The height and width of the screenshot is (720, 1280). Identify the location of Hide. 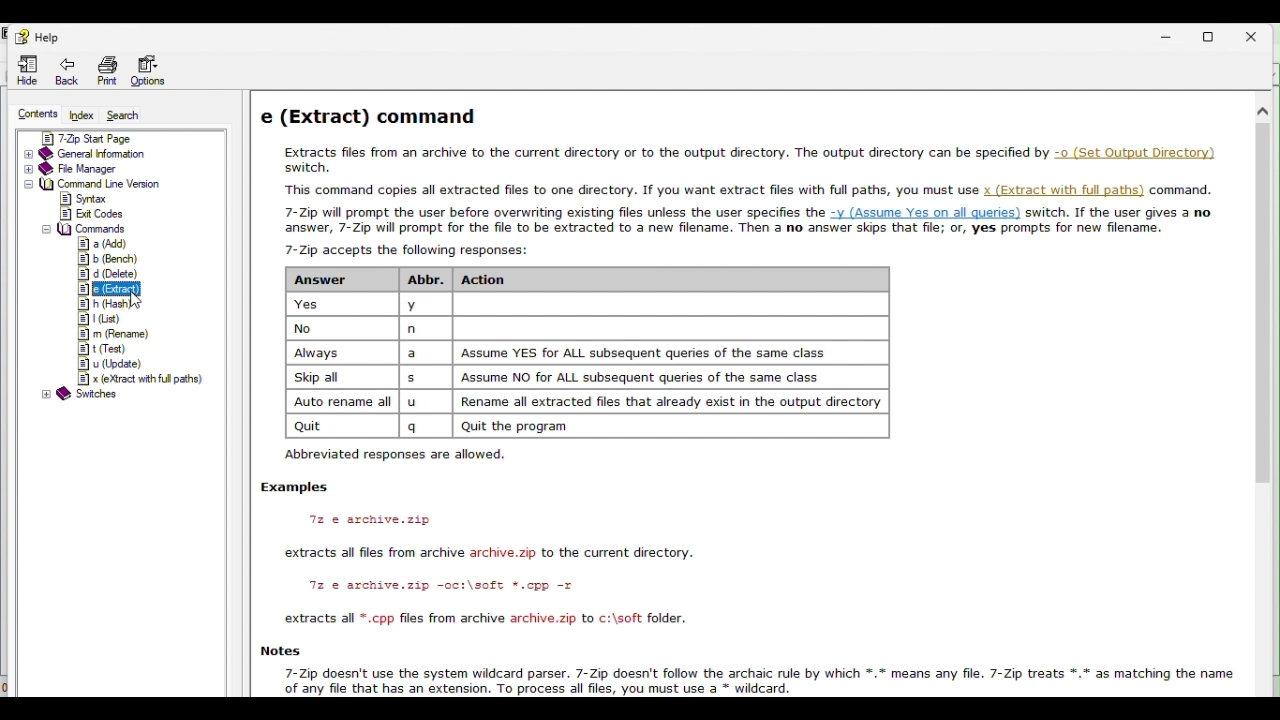
(27, 67).